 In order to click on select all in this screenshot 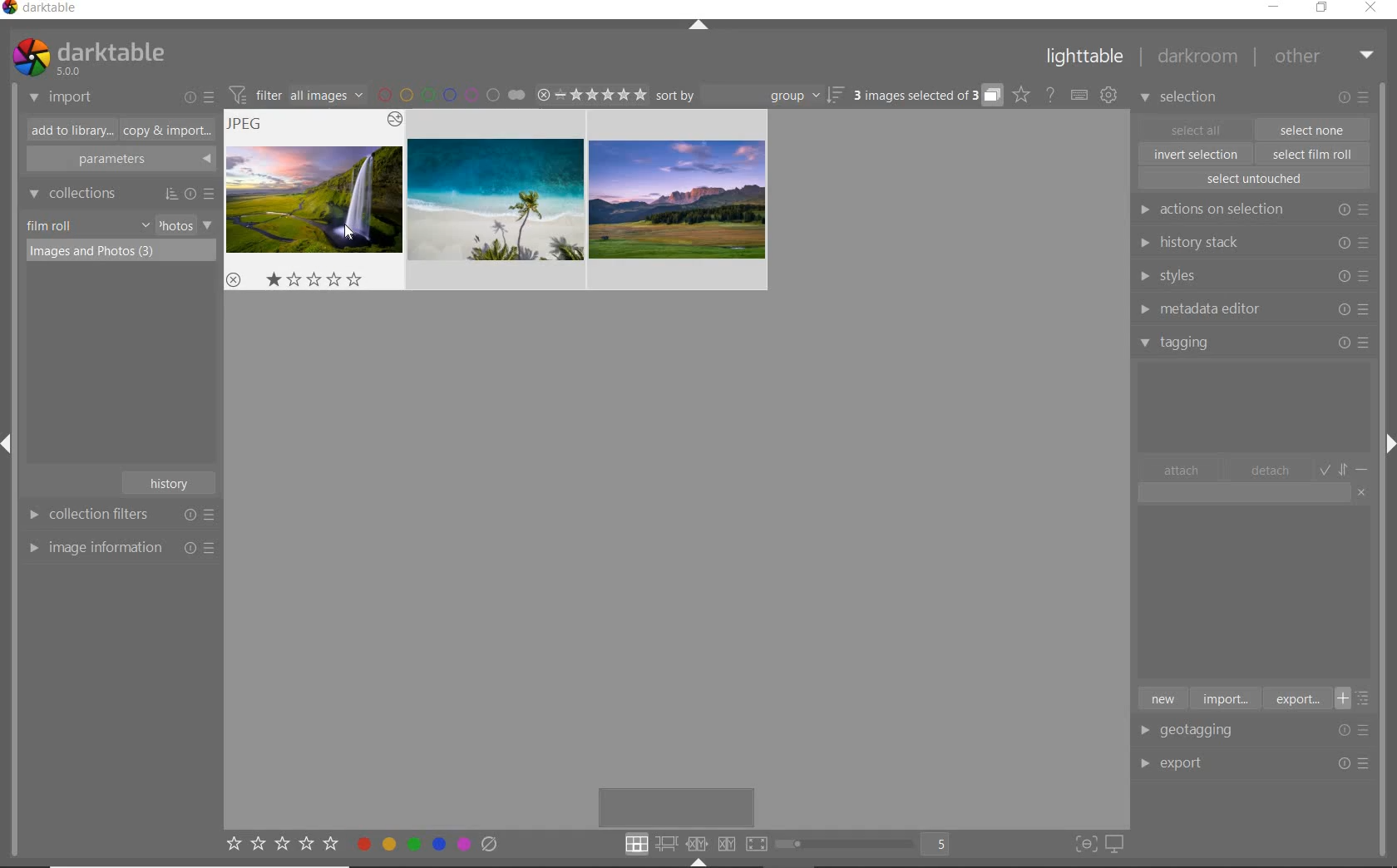, I will do `click(1196, 128)`.